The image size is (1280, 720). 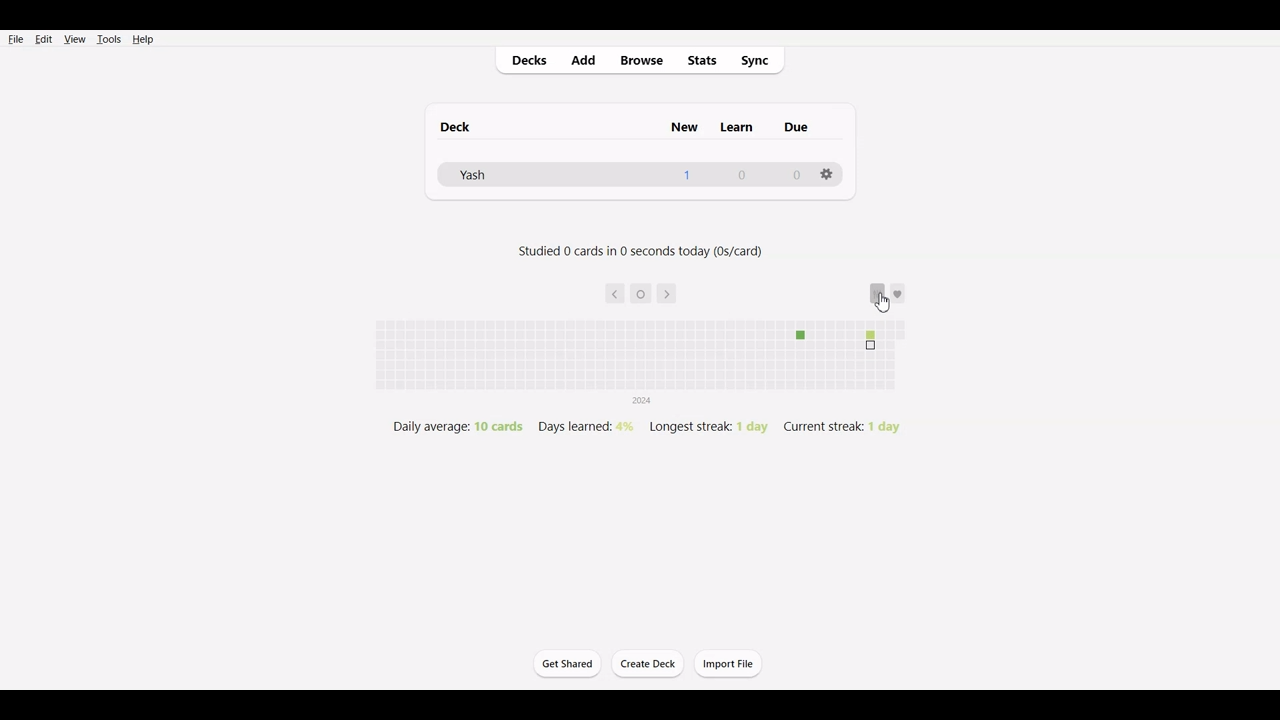 What do you see at coordinates (729, 663) in the screenshot?
I see `Import File` at bounding box center [729, 663].